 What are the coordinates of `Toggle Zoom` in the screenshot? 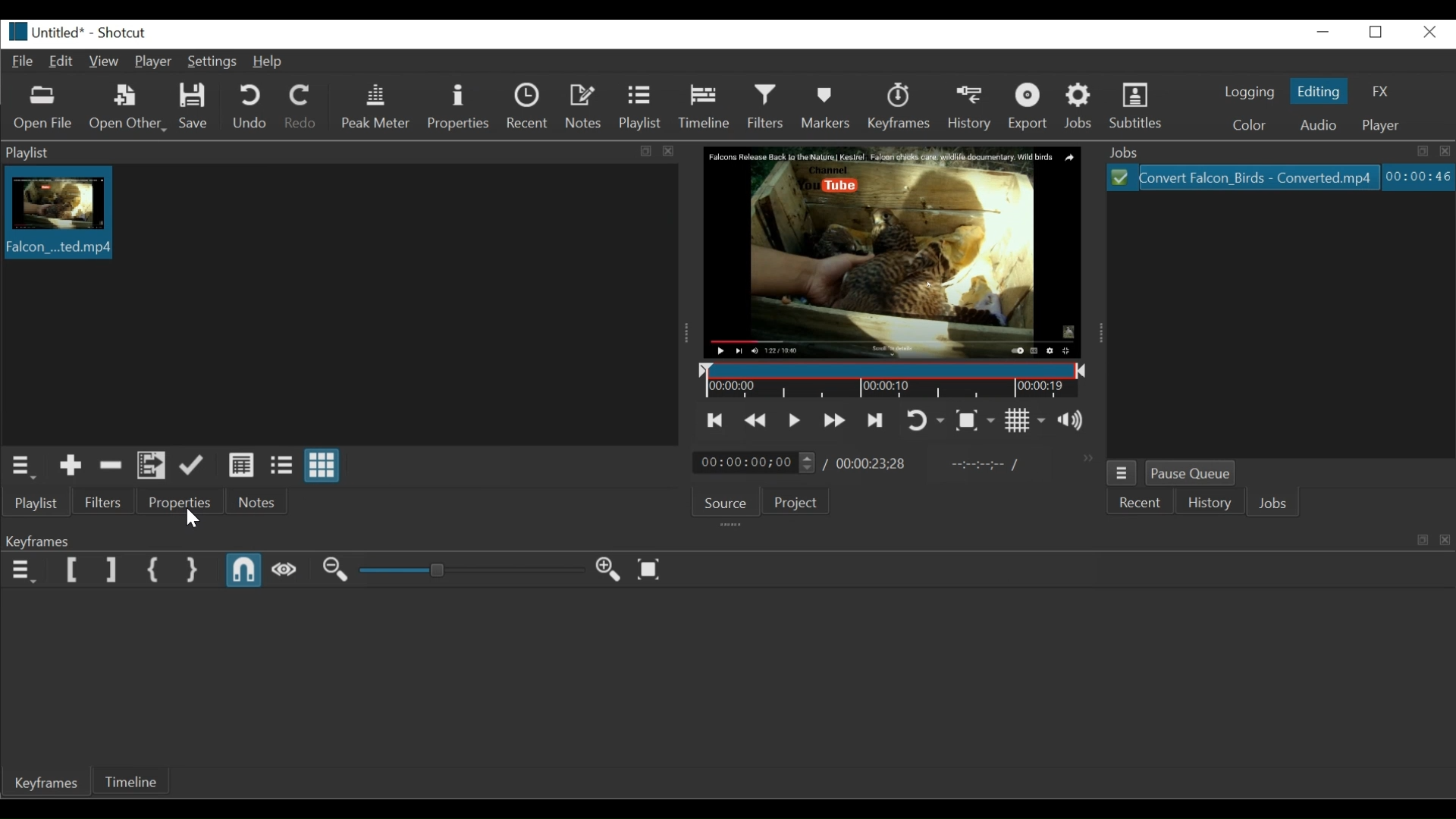 It's located at (977, 419).